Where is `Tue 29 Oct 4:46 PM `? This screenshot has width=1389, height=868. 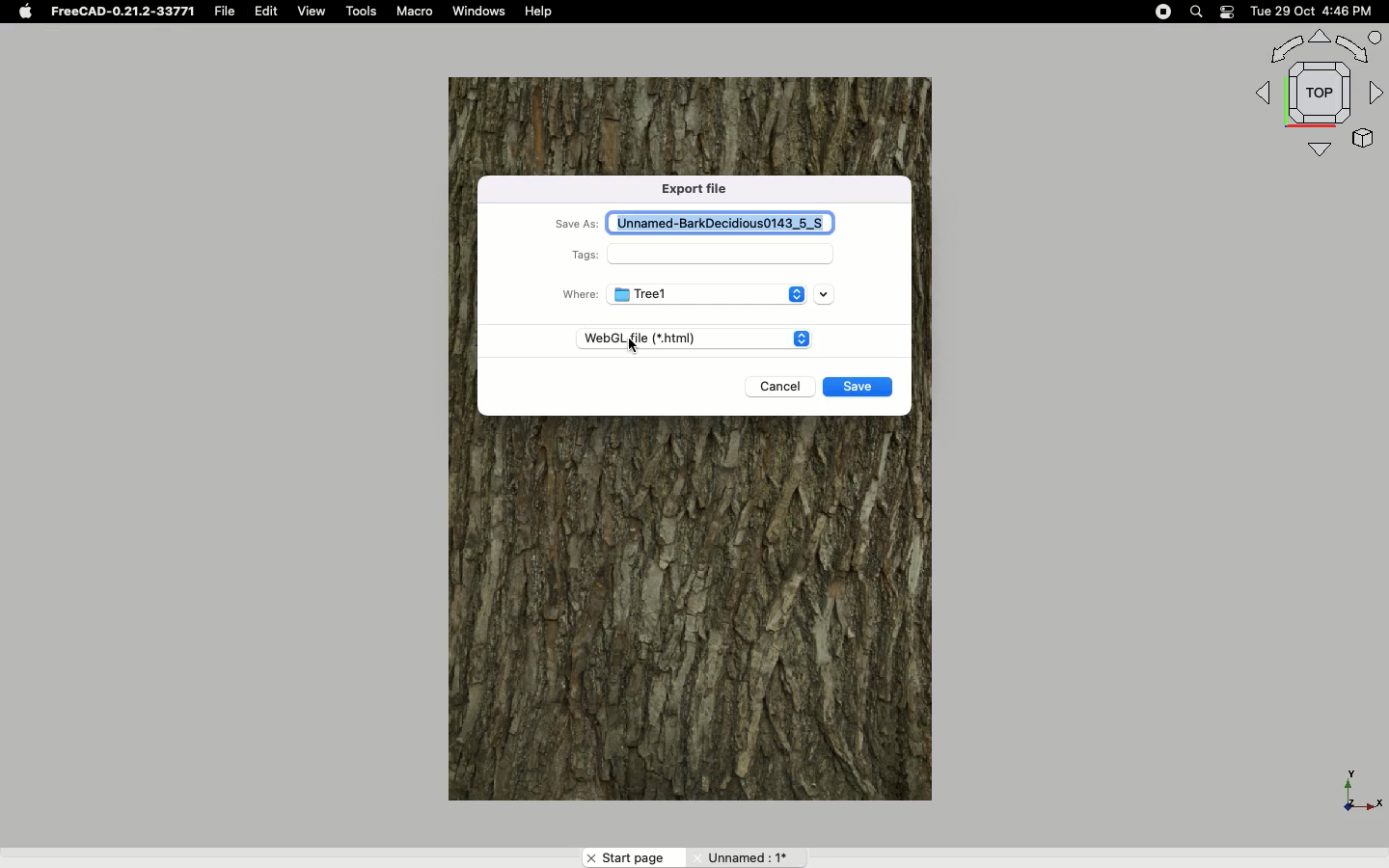 Tue 29 Oct 4:46 PM  is located at coordinates (1314, 13).